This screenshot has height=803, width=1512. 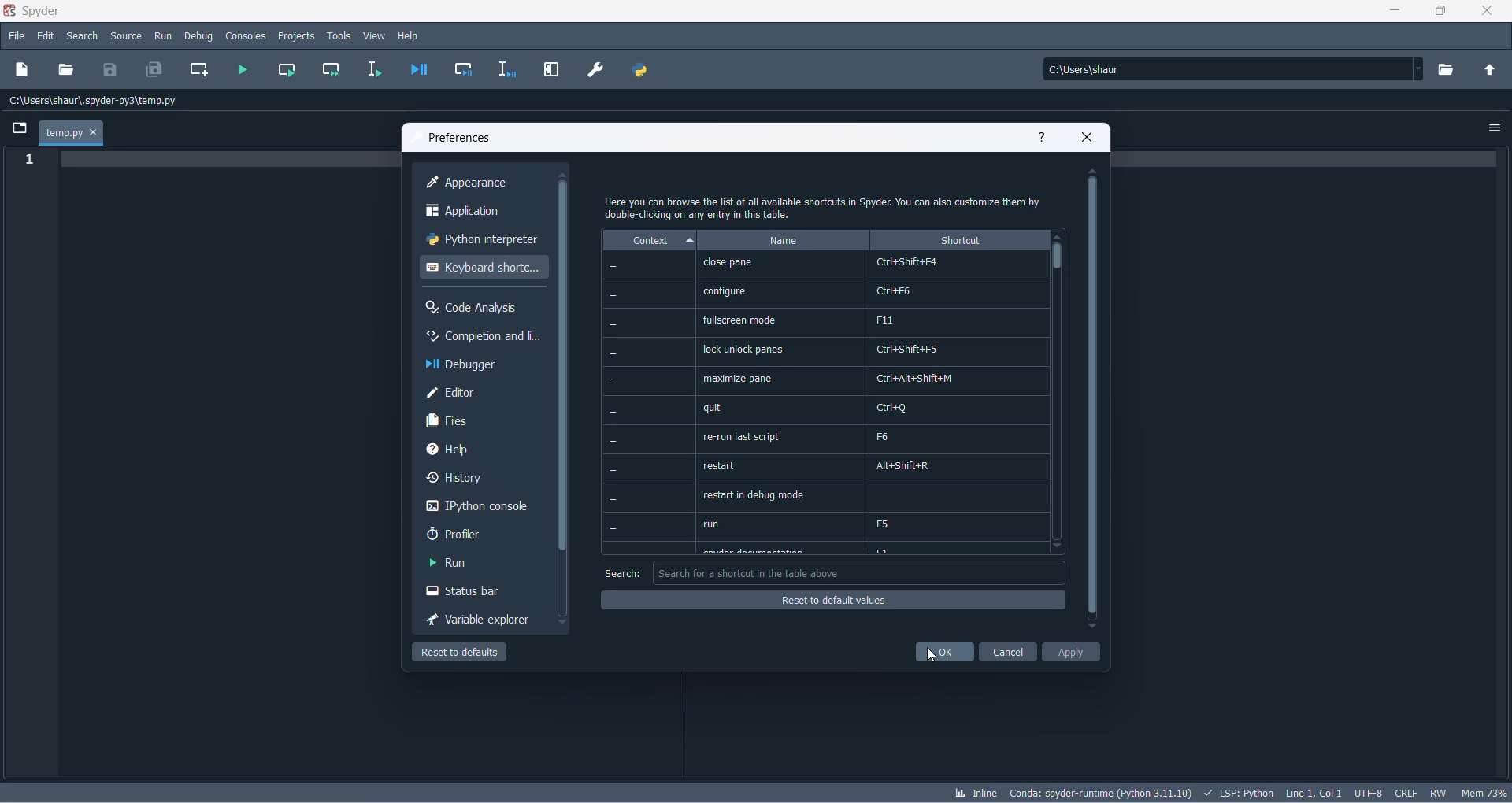 What do you see at coordinates (372, 68) in the screenshot?
I see `run selection` at bounding box center [372, 68].